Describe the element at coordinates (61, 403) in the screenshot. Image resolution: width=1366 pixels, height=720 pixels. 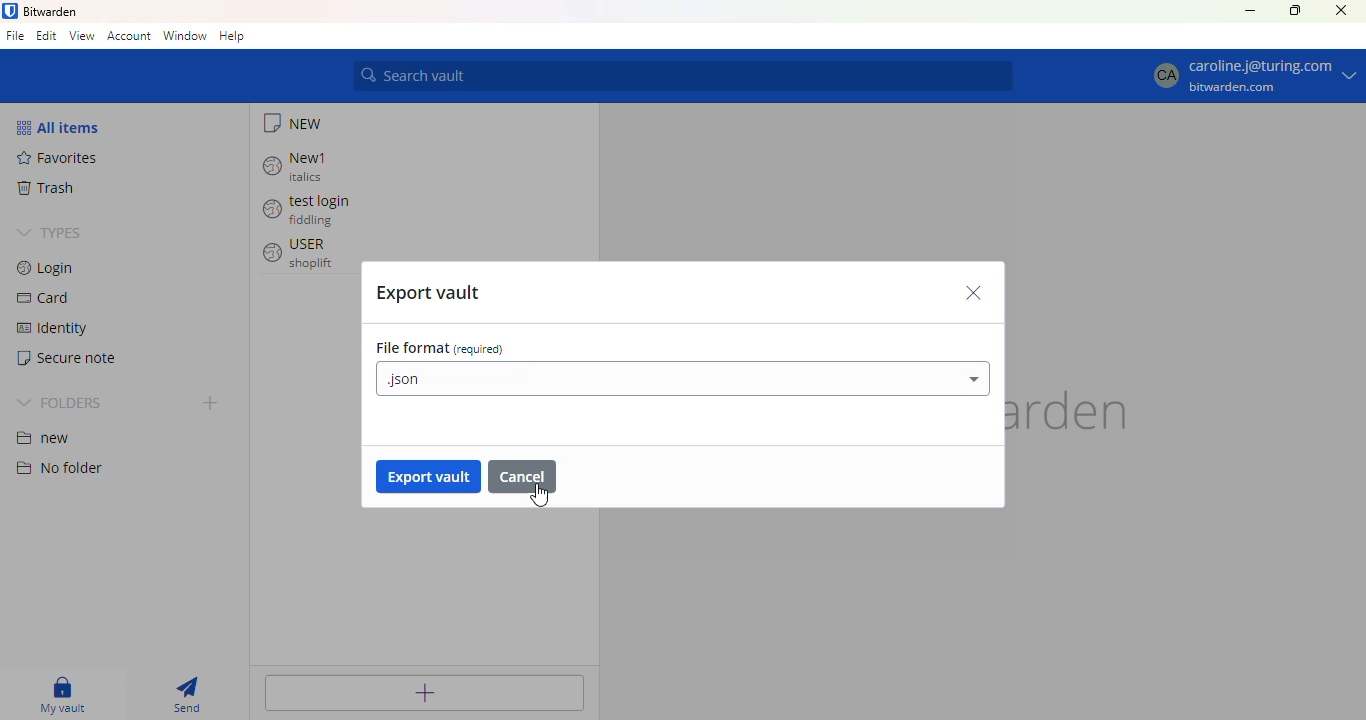
I see `folders` at that location.